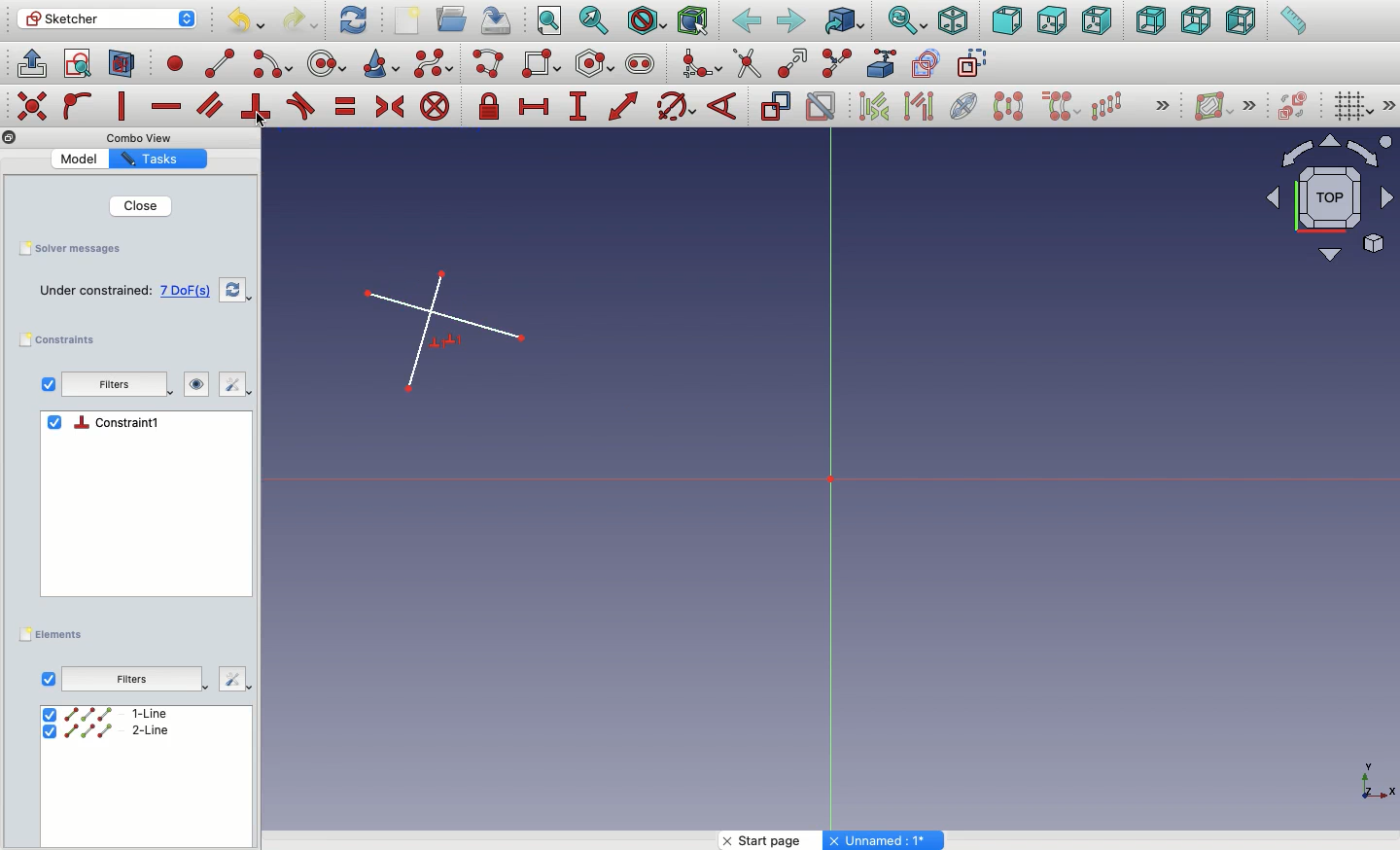 Image resolution: width=1400 pixels, height=850 pixels. I want to click on Close, so click(144, 206).